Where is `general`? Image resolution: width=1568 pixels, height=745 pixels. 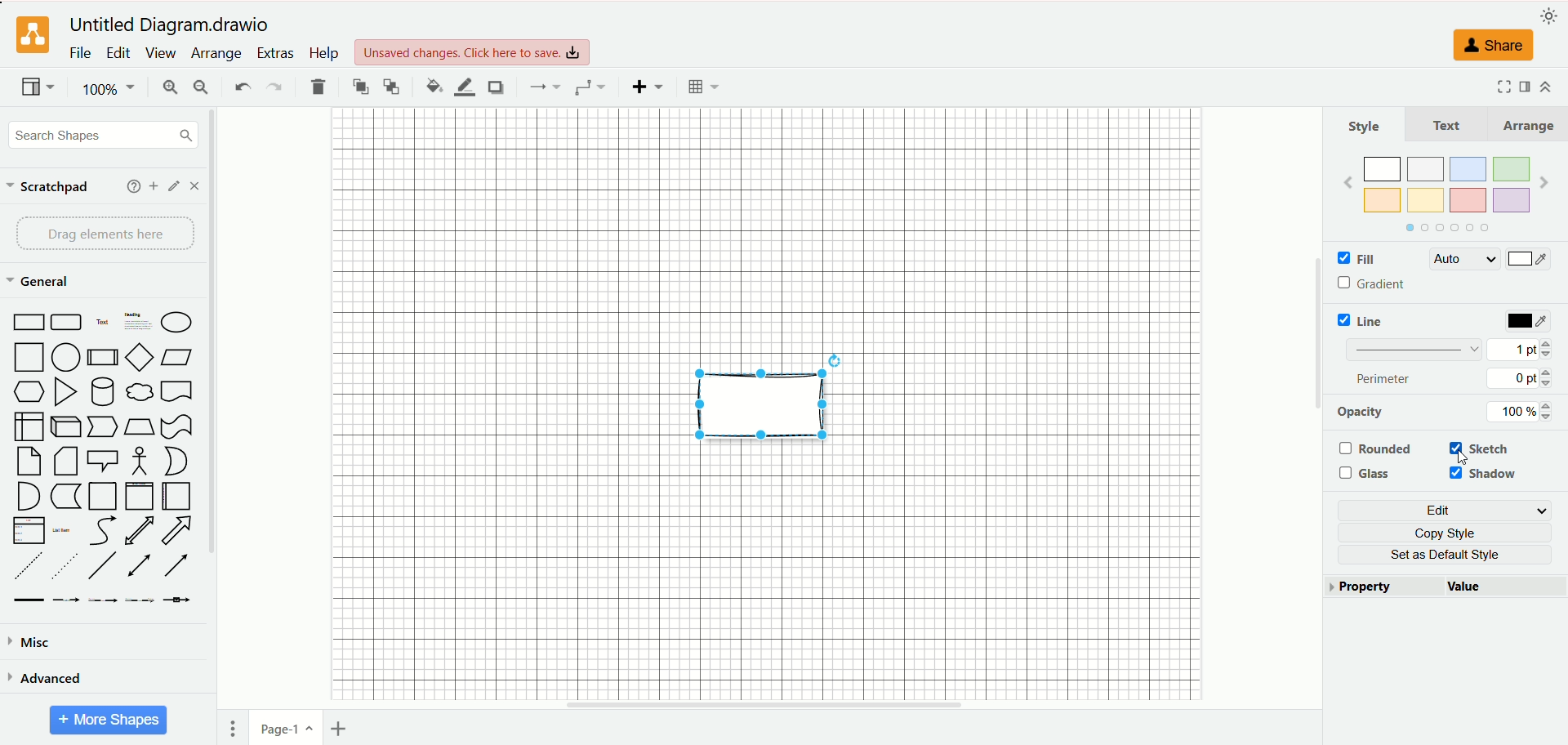
general is located at coordinates (42, 283).